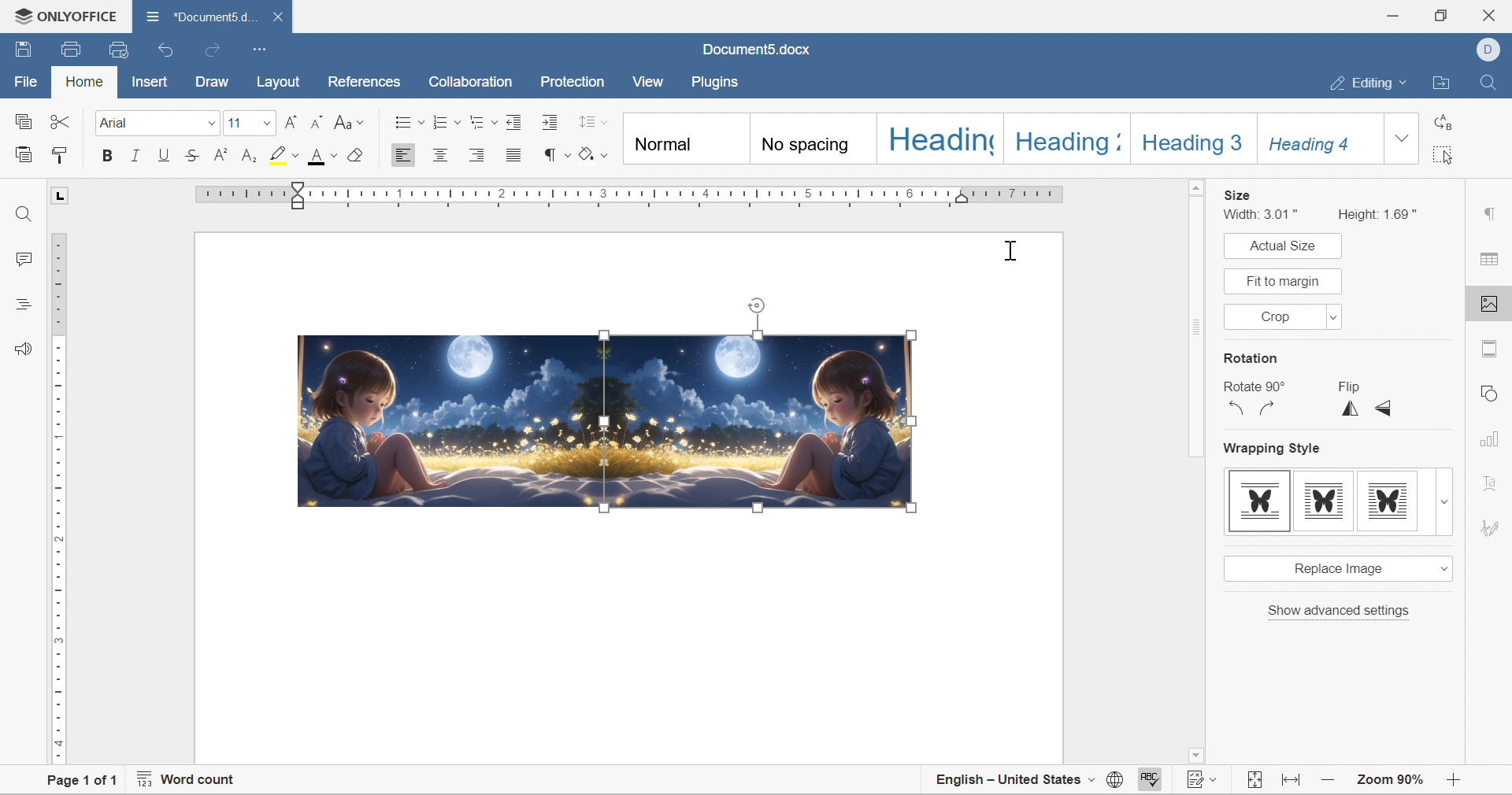  Describe the element at coordinates (1499, 442) in the screenshot. I see `chart settings` at that location.